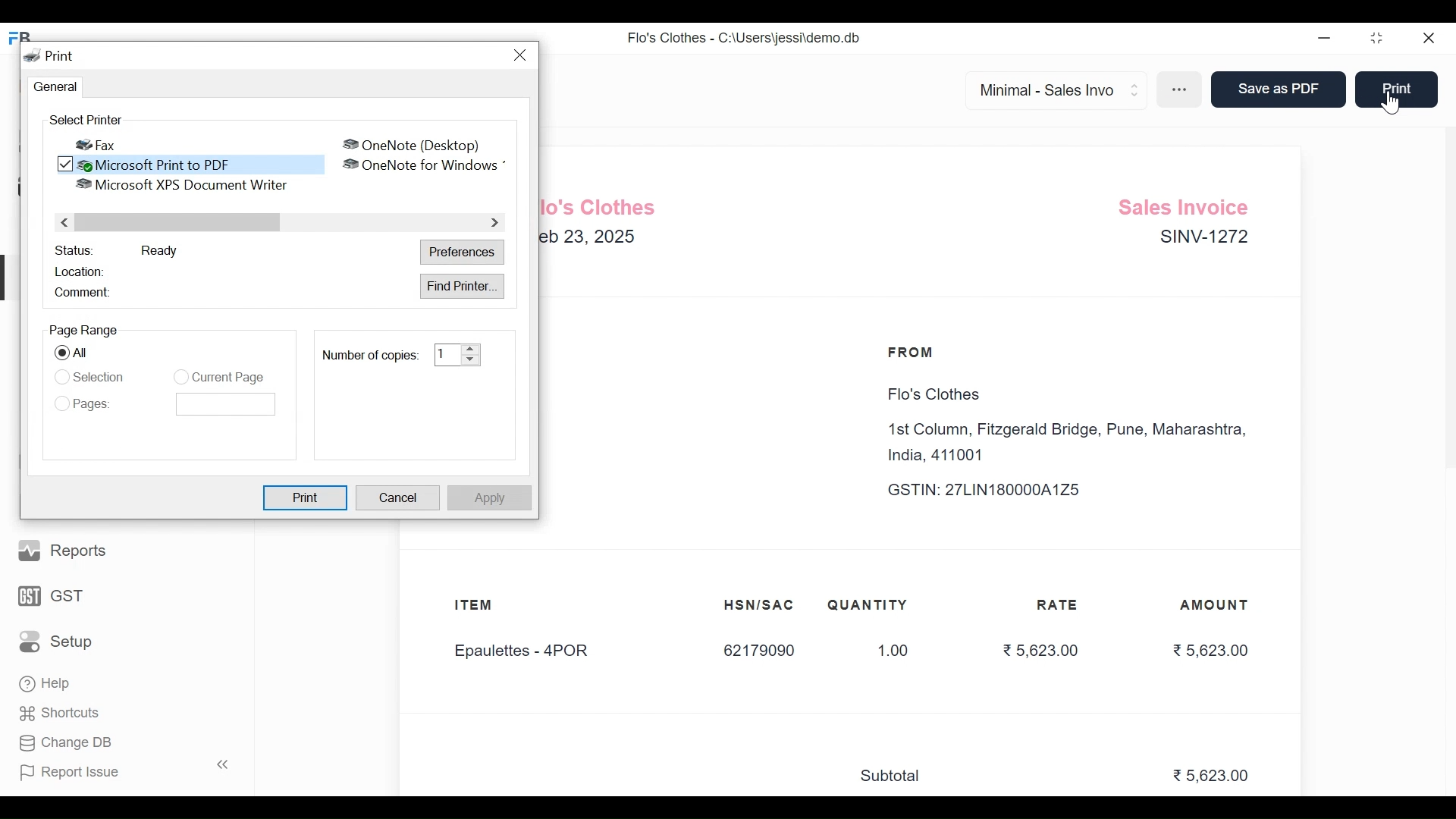 This screenshot has width=1456, height=819. Describe the element at coordinates (488, 607) in the screenshot. I see `ITEM` at that location.